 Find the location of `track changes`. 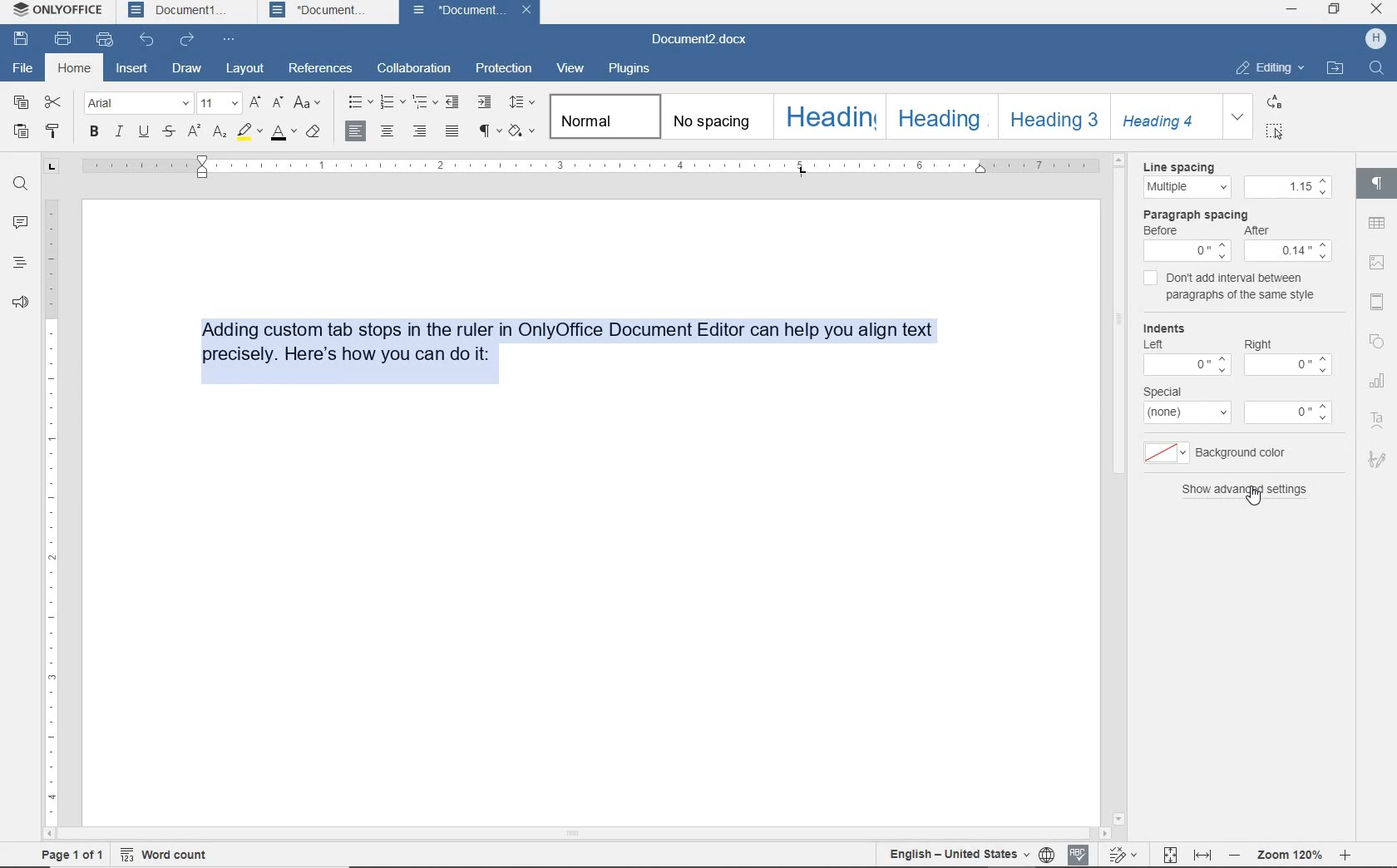

track changes is located at coordinates (1123, 853).